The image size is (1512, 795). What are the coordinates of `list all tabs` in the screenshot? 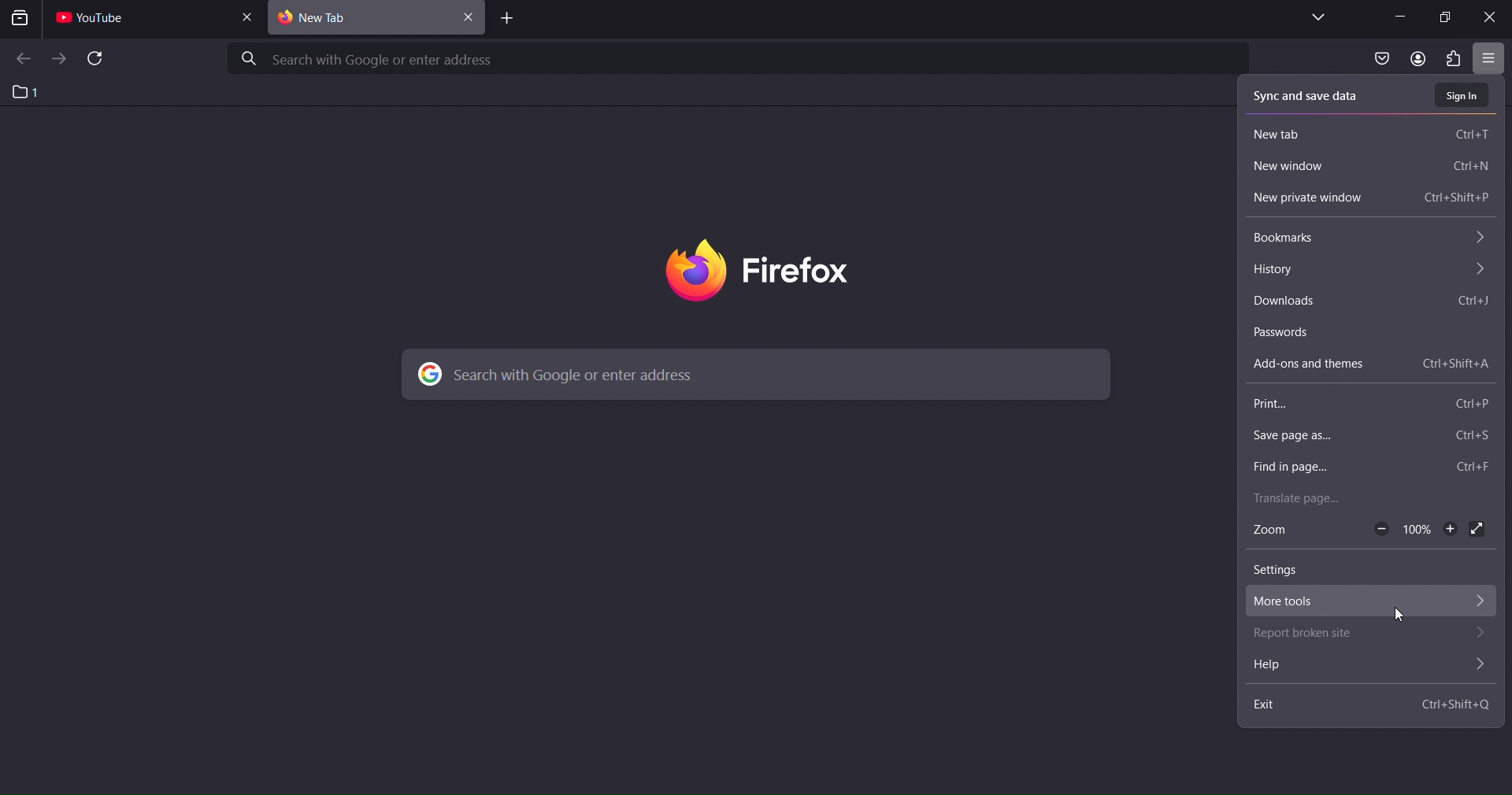 It's located at (1316, 17).